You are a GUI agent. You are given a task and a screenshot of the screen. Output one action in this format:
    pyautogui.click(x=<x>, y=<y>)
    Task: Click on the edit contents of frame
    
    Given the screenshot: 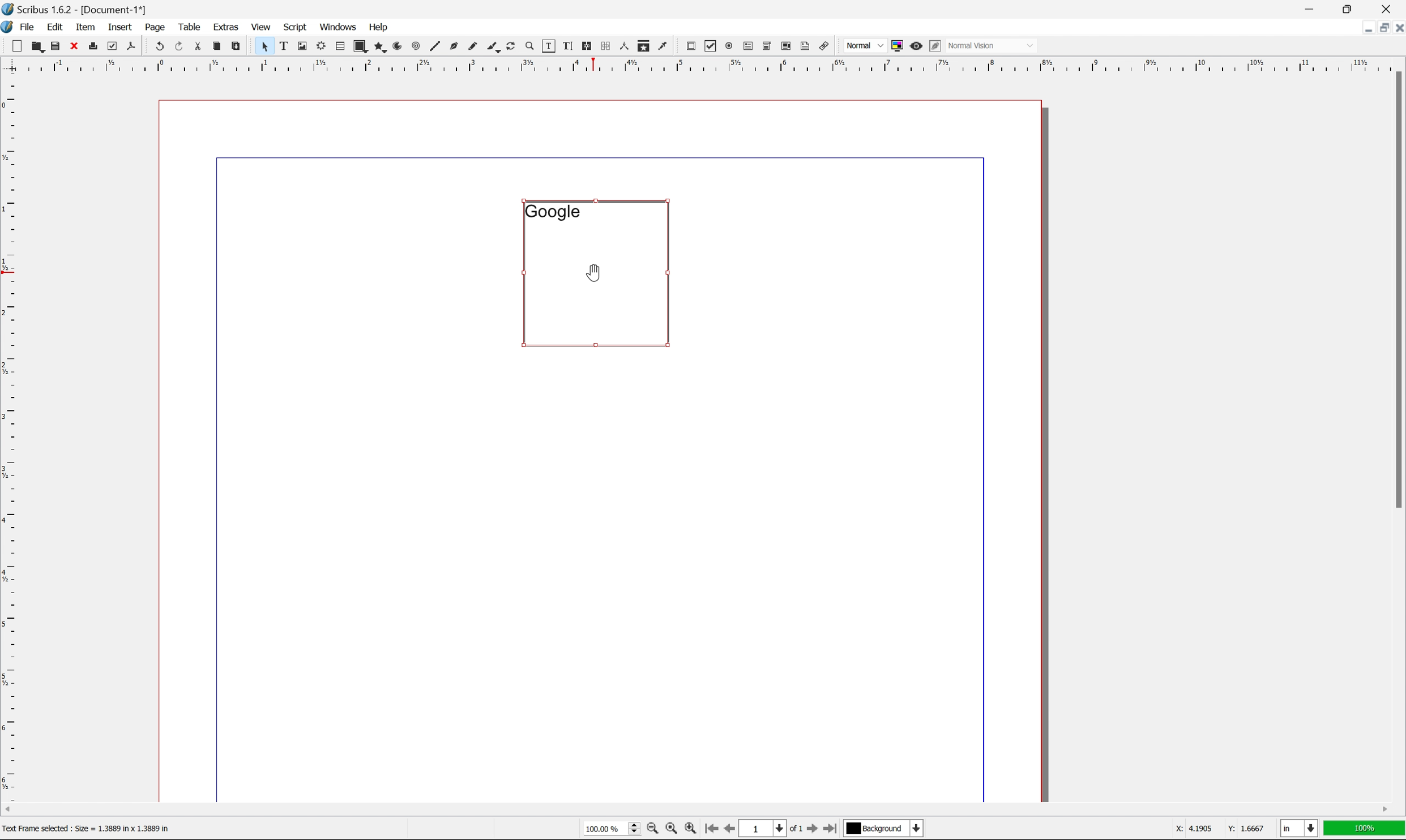 What is the action you would take?
    pyautogui.click(x=548, y=45)
    